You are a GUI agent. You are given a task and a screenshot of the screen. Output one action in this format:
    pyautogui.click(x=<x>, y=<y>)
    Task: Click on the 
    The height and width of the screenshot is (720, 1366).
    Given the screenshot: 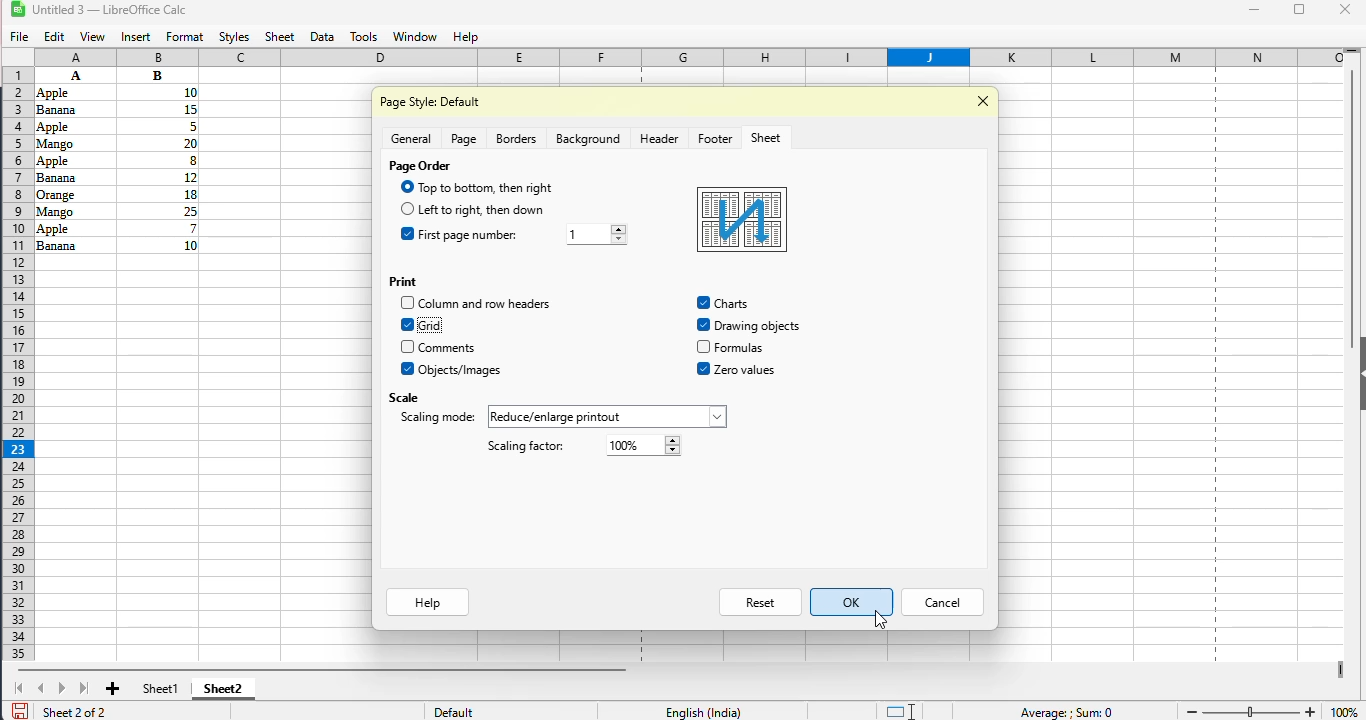 What is the action you would take?
    pyautogui.click(x=607, y=417)
    